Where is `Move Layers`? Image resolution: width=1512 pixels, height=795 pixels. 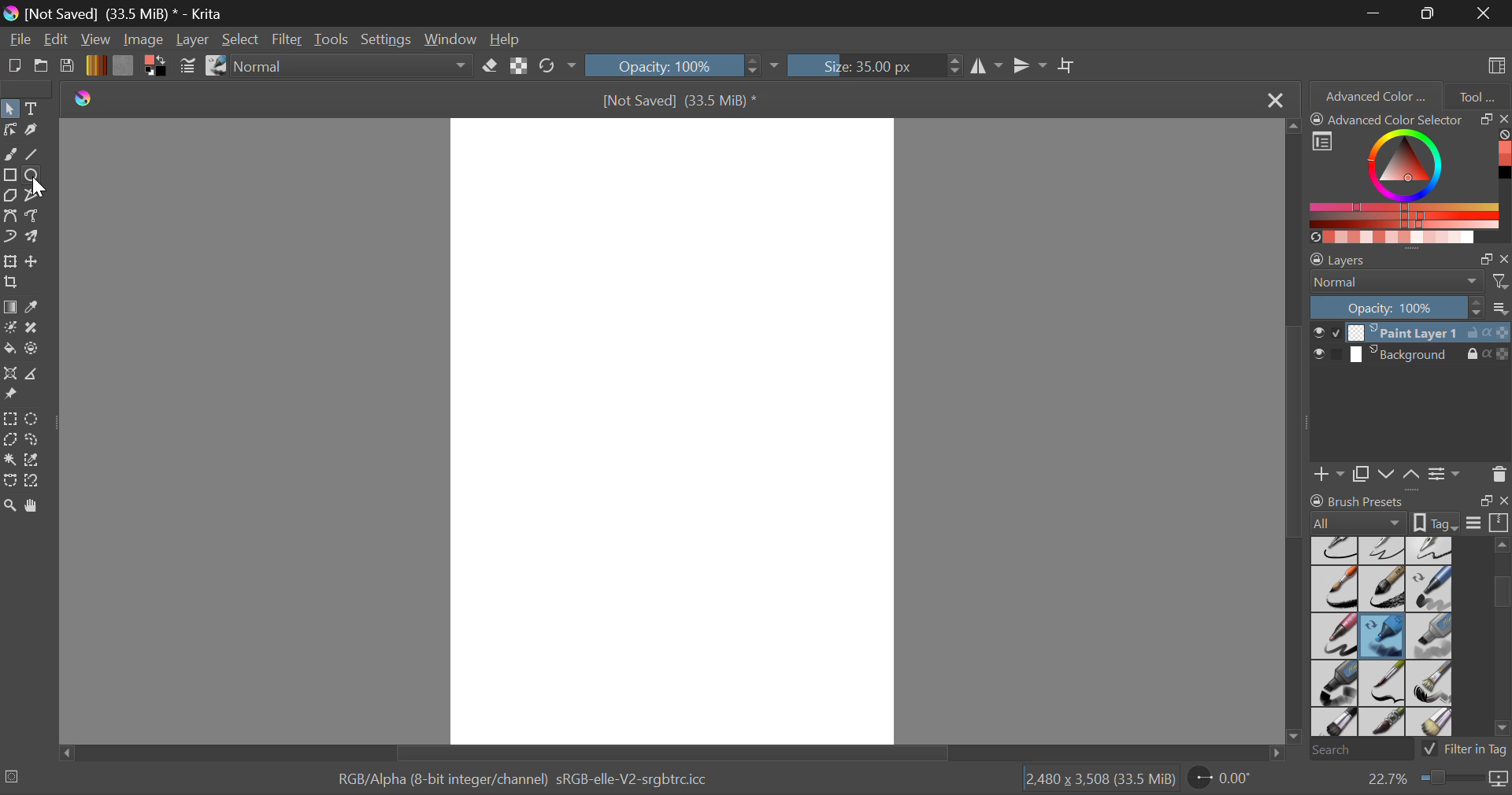
Move Layers is located at coordinates (1400, 472).